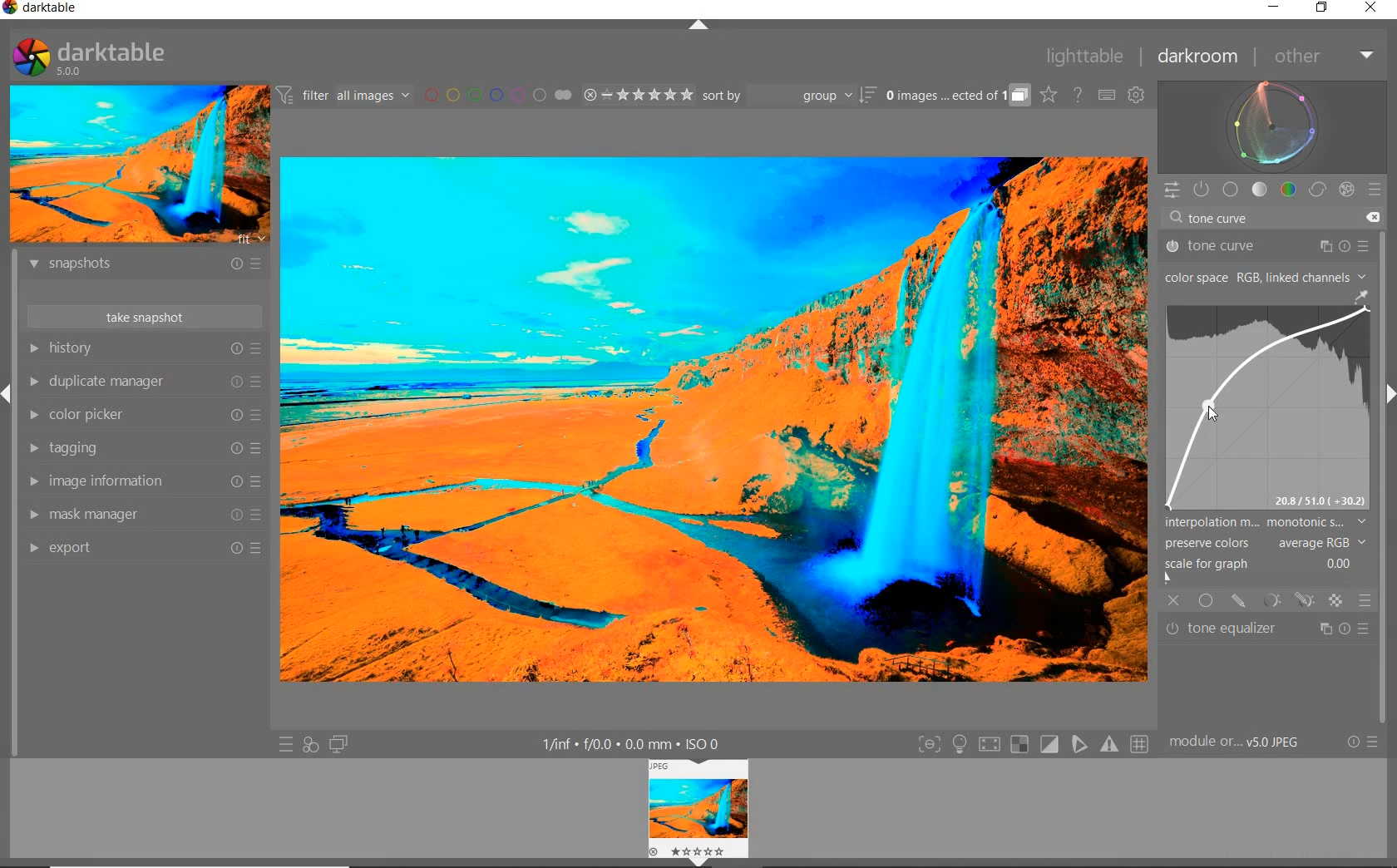 The image size is (1397, 868). Describe the element at coordinates (638, 94) in the screenshot. I see `RANGE RATING OF SELECTED IMAGES` at that location.